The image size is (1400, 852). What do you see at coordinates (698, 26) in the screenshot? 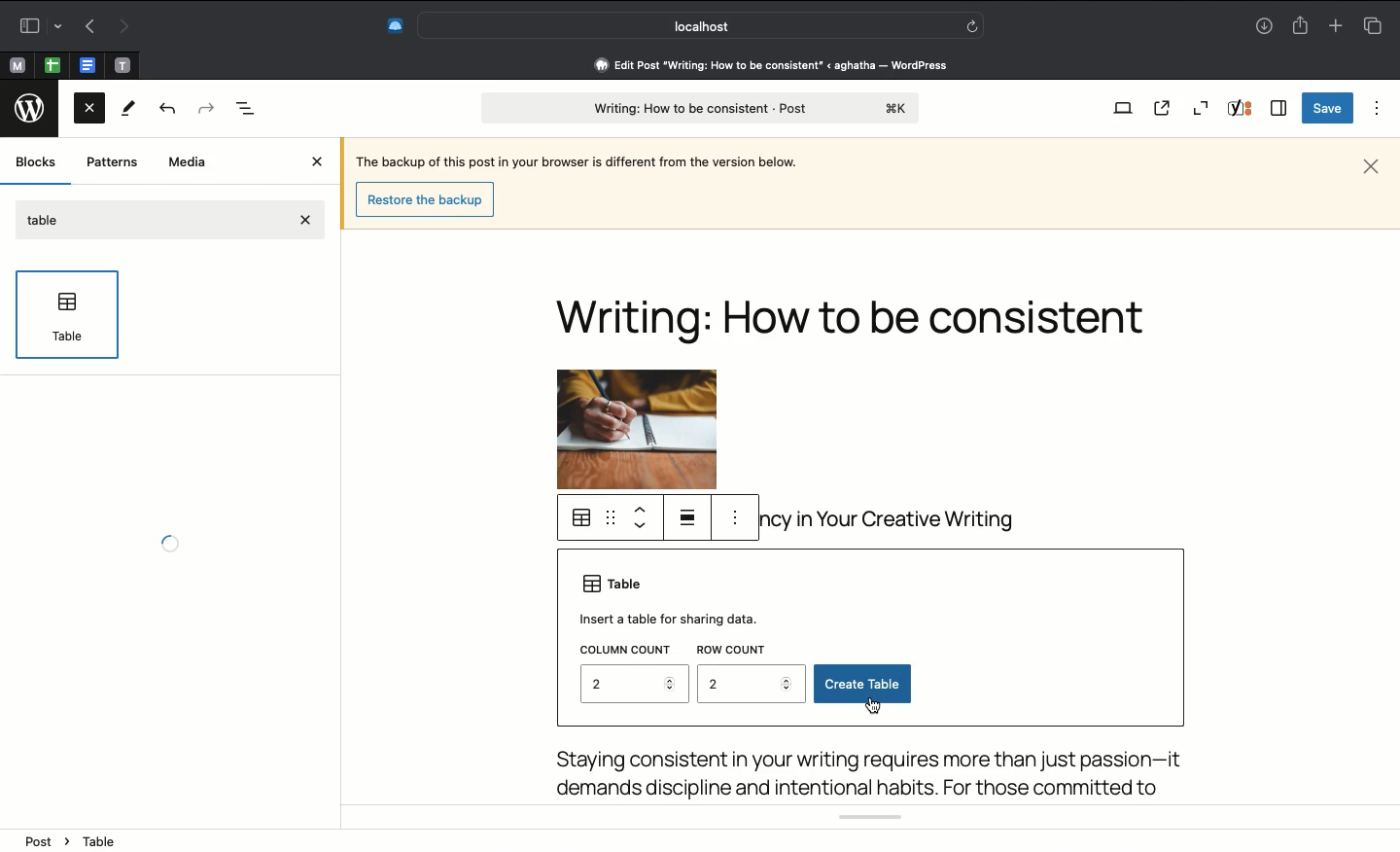
I see `Search address bar` at bounding box center [698, 26].